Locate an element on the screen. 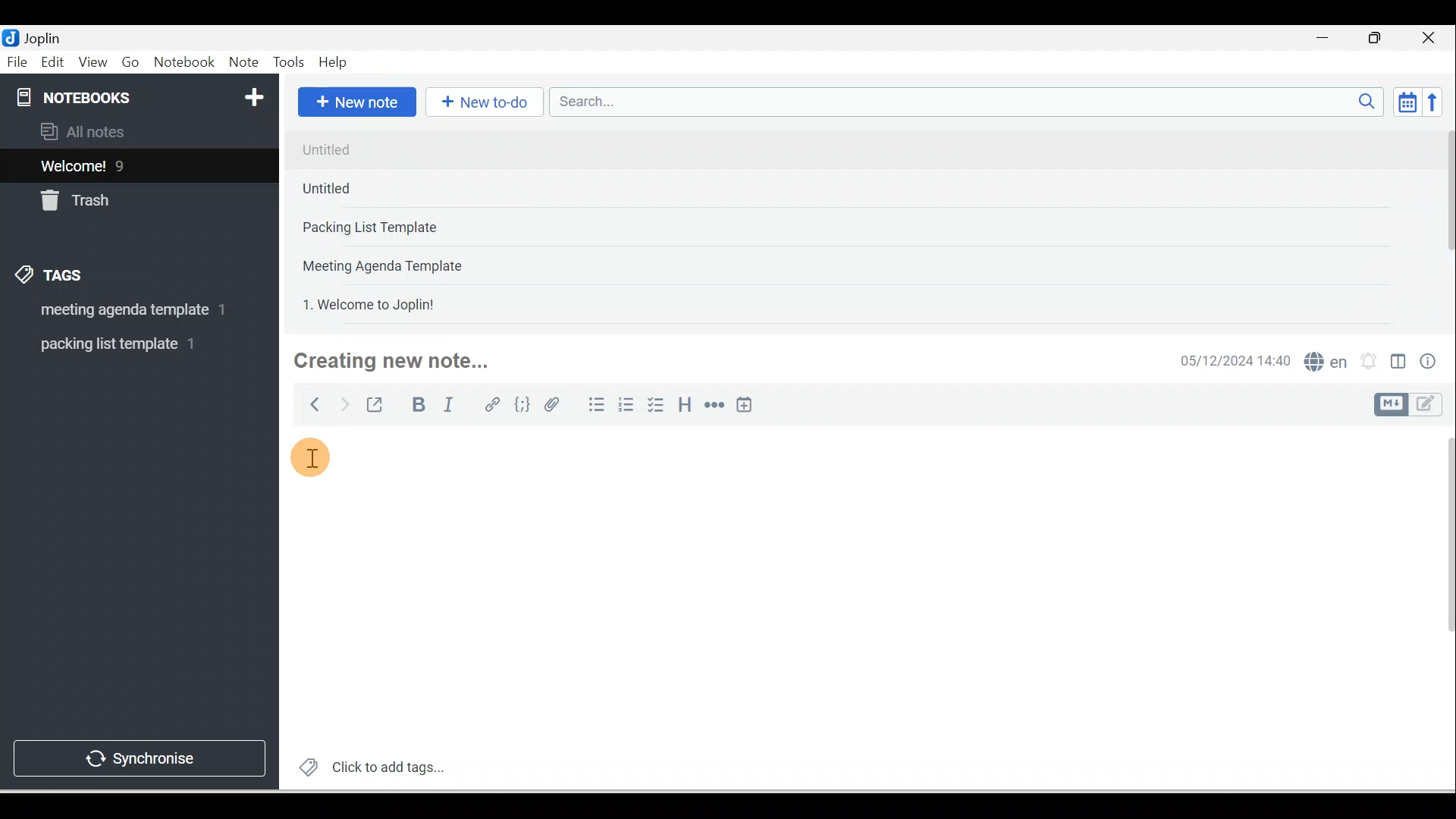  Bulleted list is located at coordinates (593, 404).